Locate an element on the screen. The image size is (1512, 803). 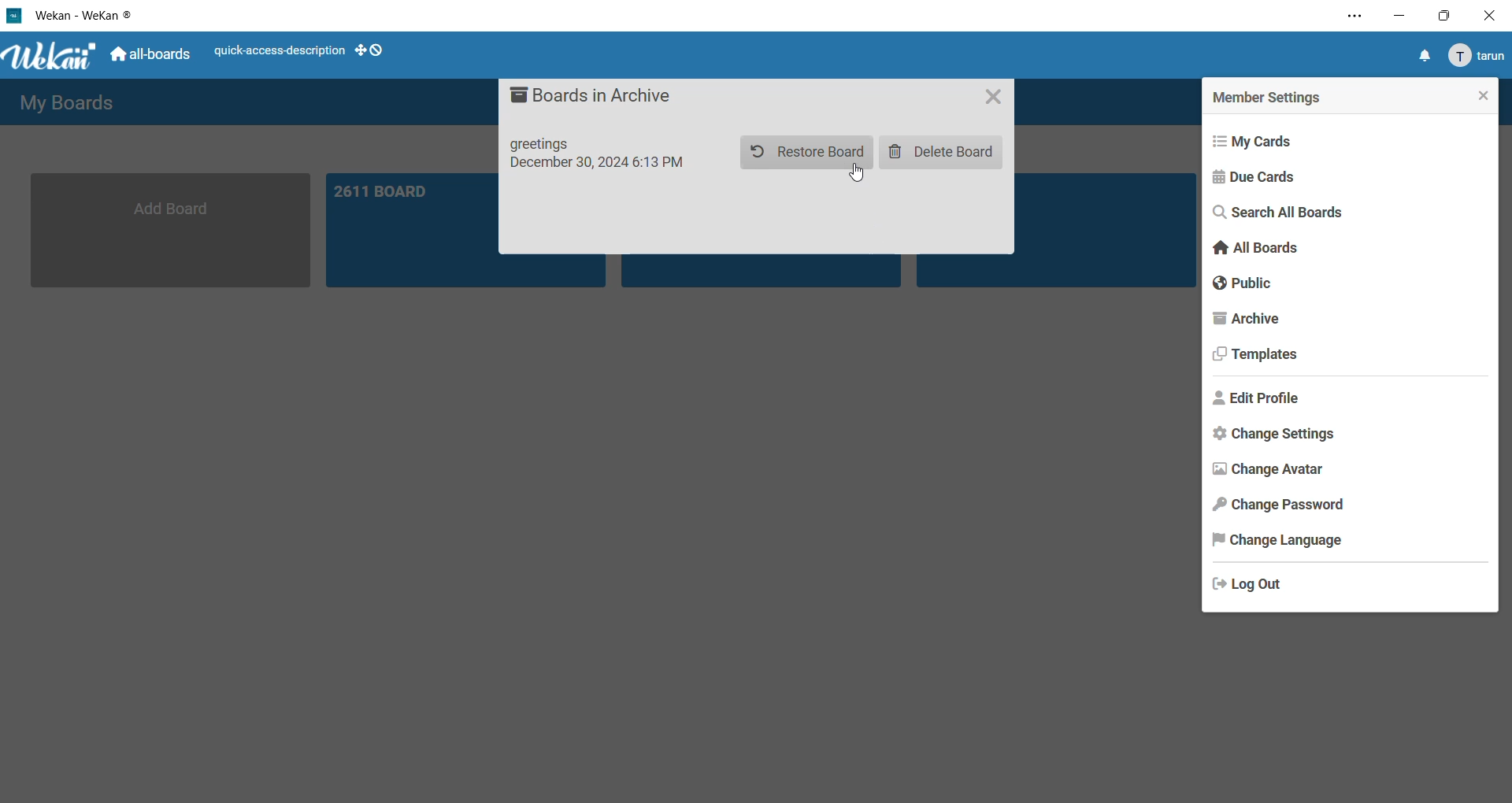
templates is located at coordinates (1259, 359).